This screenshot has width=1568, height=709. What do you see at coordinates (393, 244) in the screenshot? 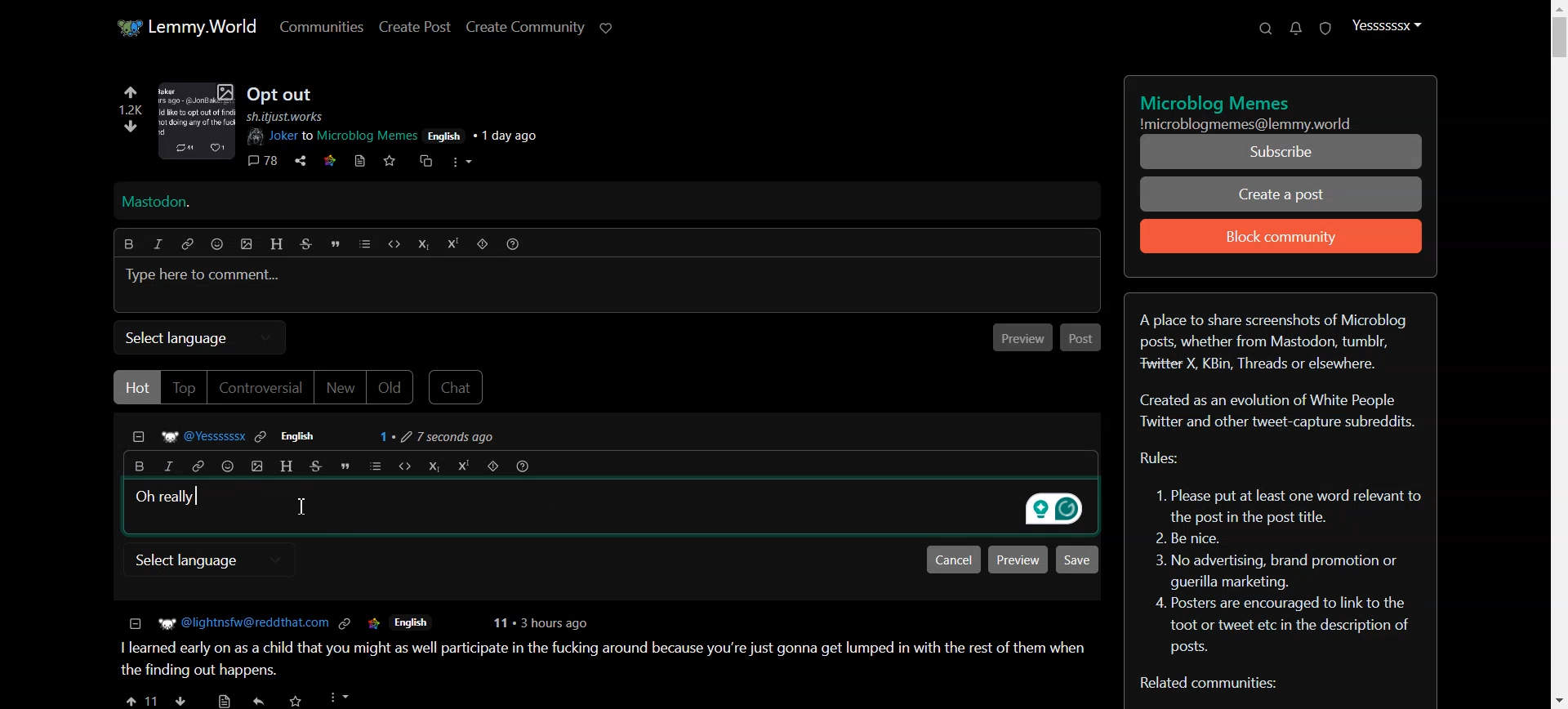
I see `Code` at bounding box center [393, 244].